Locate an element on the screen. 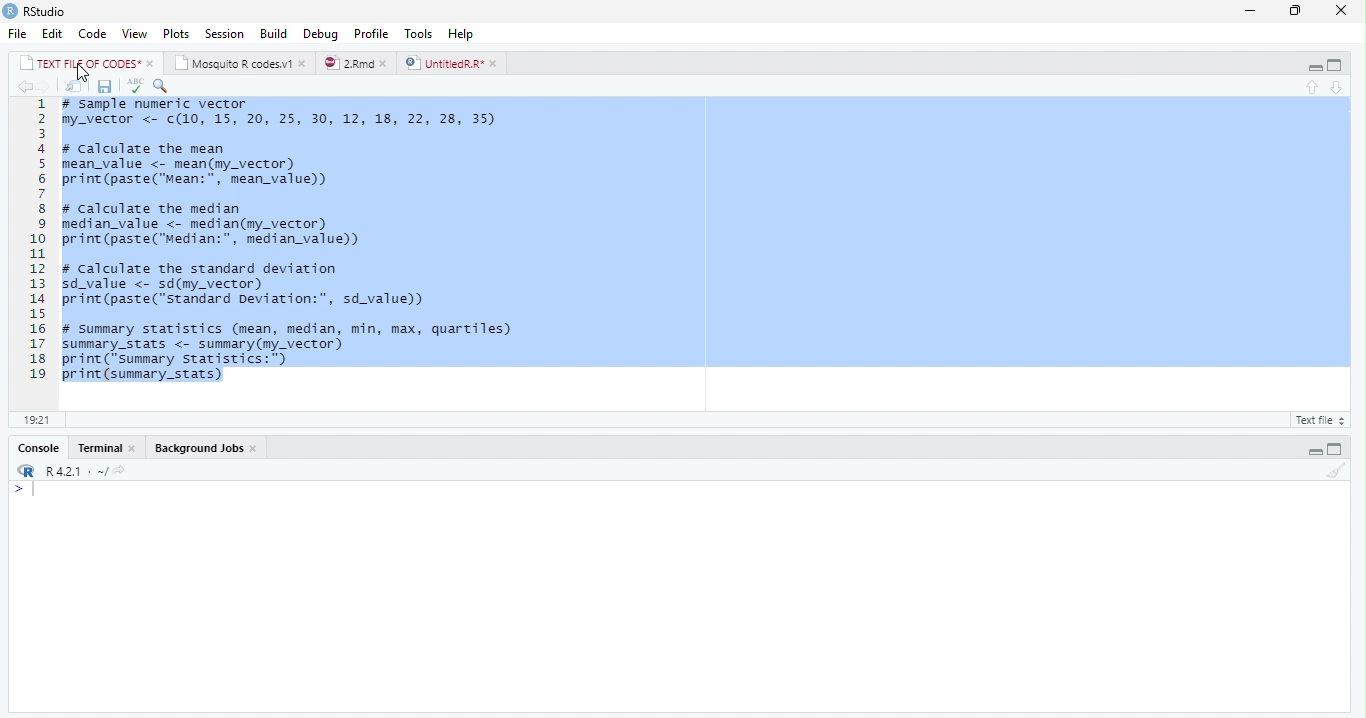  view is located at coordinates (135, 34).